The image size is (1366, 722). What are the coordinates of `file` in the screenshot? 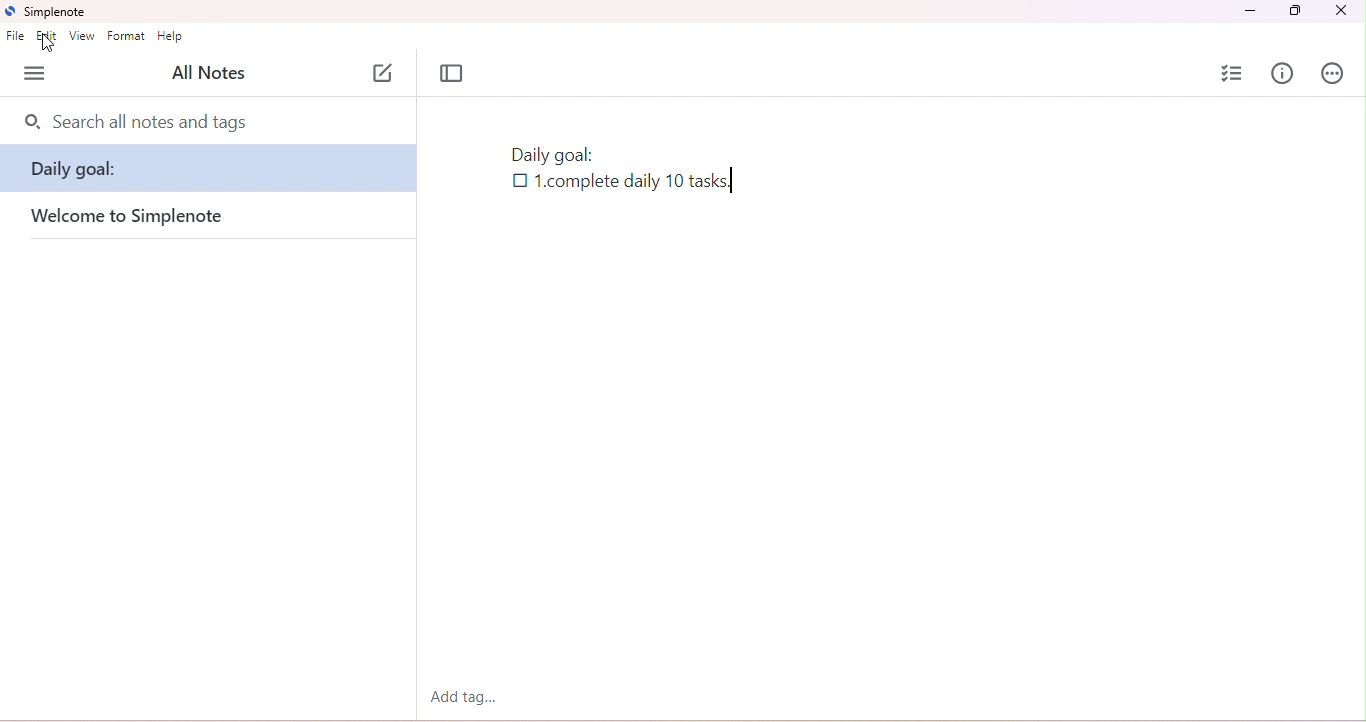 It's located at (16, 36).